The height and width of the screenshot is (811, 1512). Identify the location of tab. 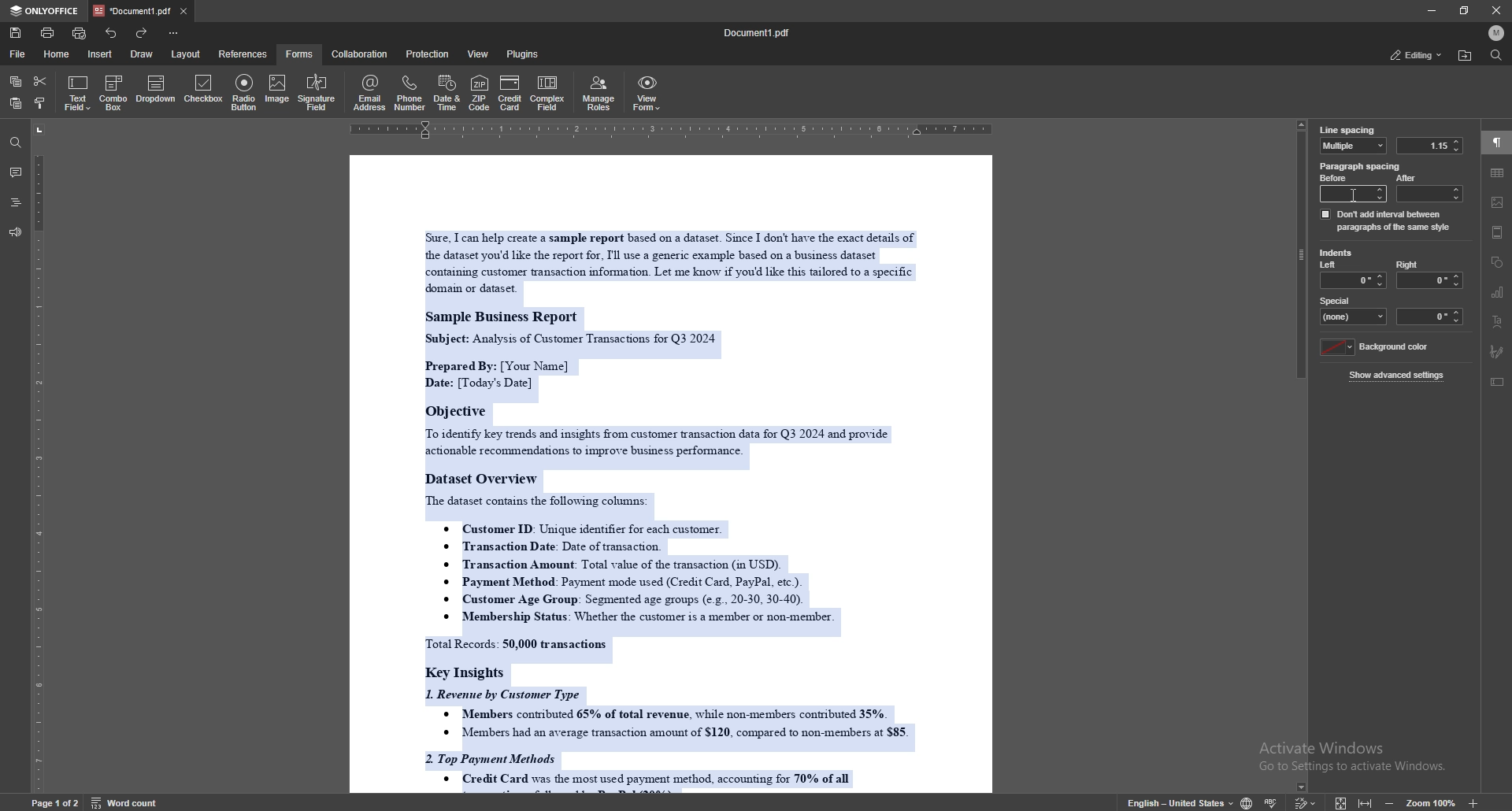
(133, 10).